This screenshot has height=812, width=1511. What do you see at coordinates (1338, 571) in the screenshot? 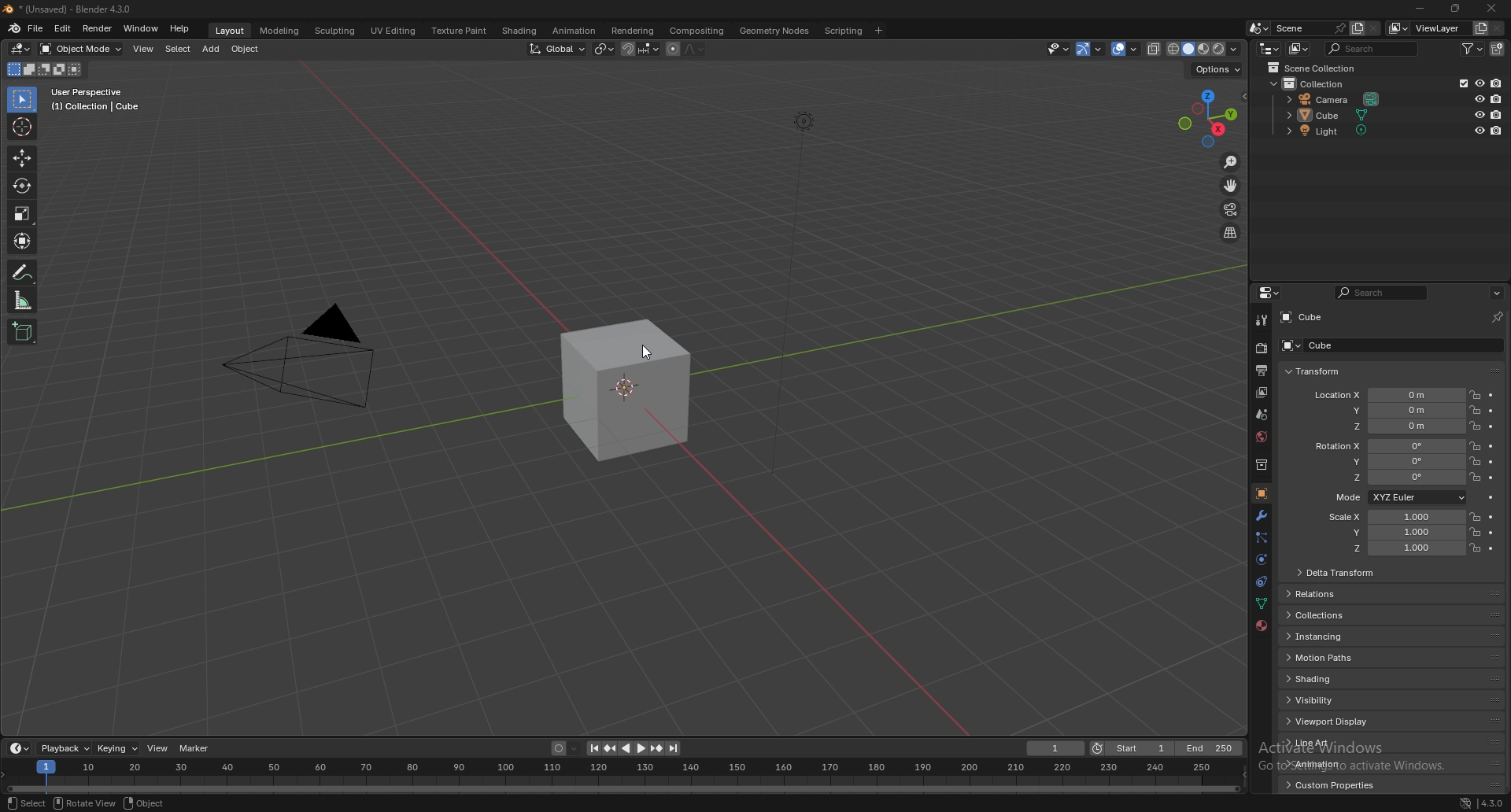
I see `delta transform` at bounding box center [1338, 571].